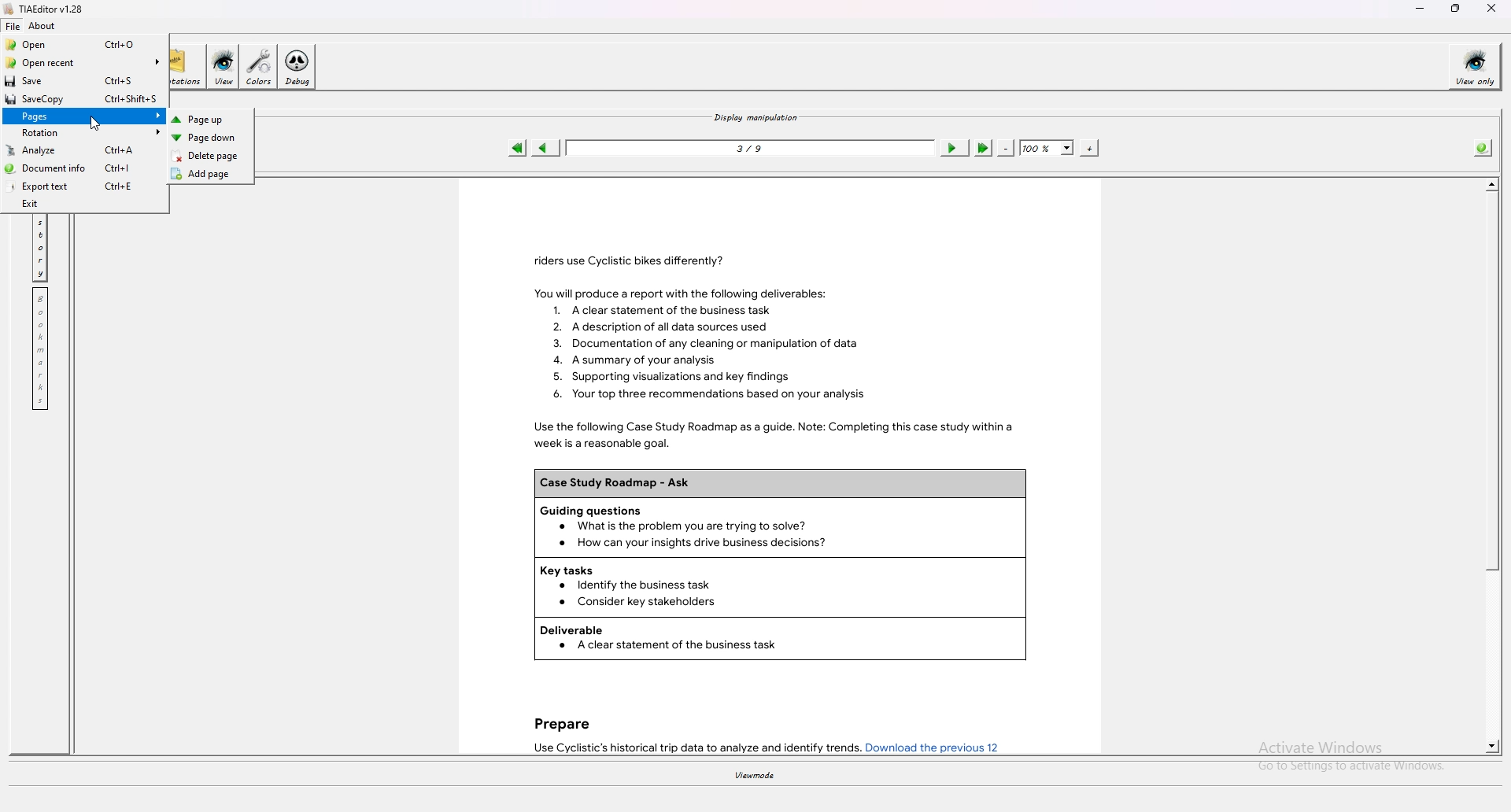  Describe the element at coordinates (937, 747) in the screenshot. I see `Download the previous 12` at that location.